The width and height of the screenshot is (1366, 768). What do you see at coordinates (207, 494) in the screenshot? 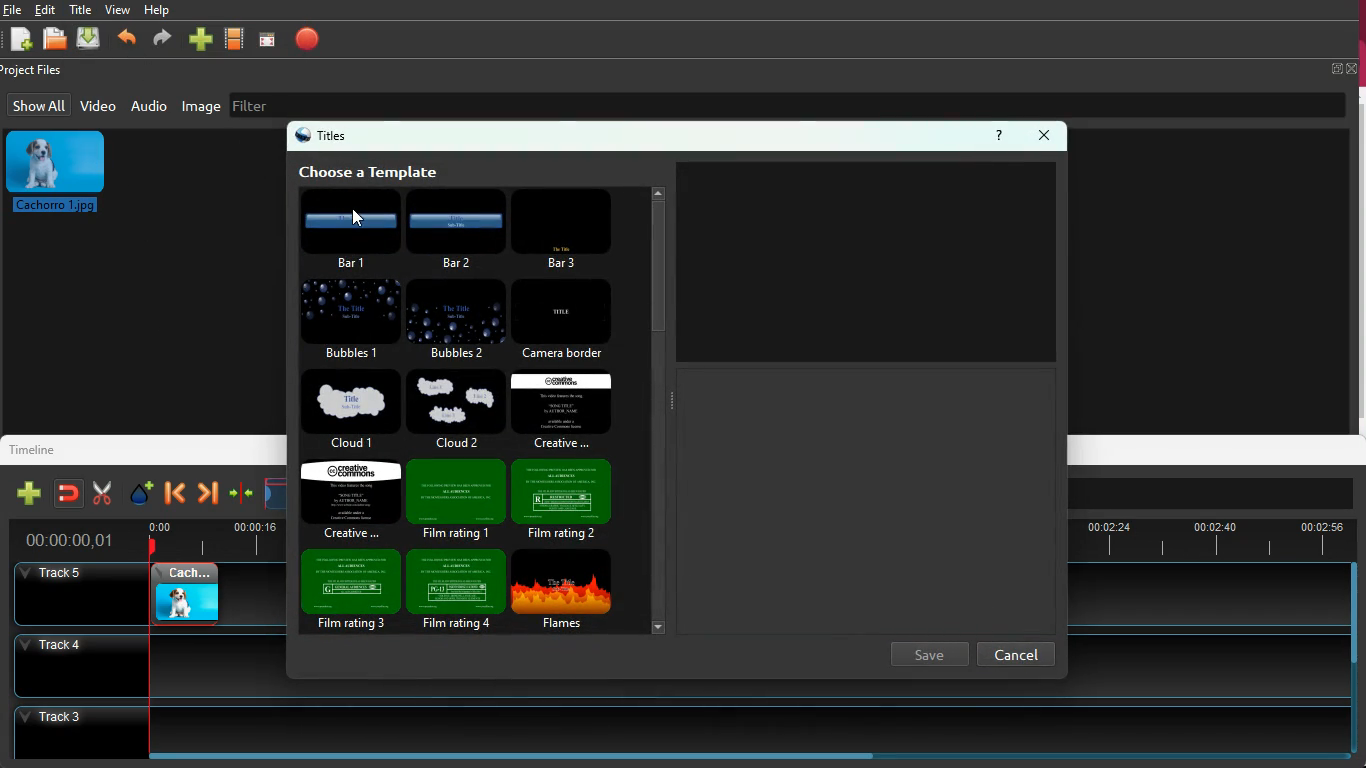
I see `forward` at bounding box center [207, 494].